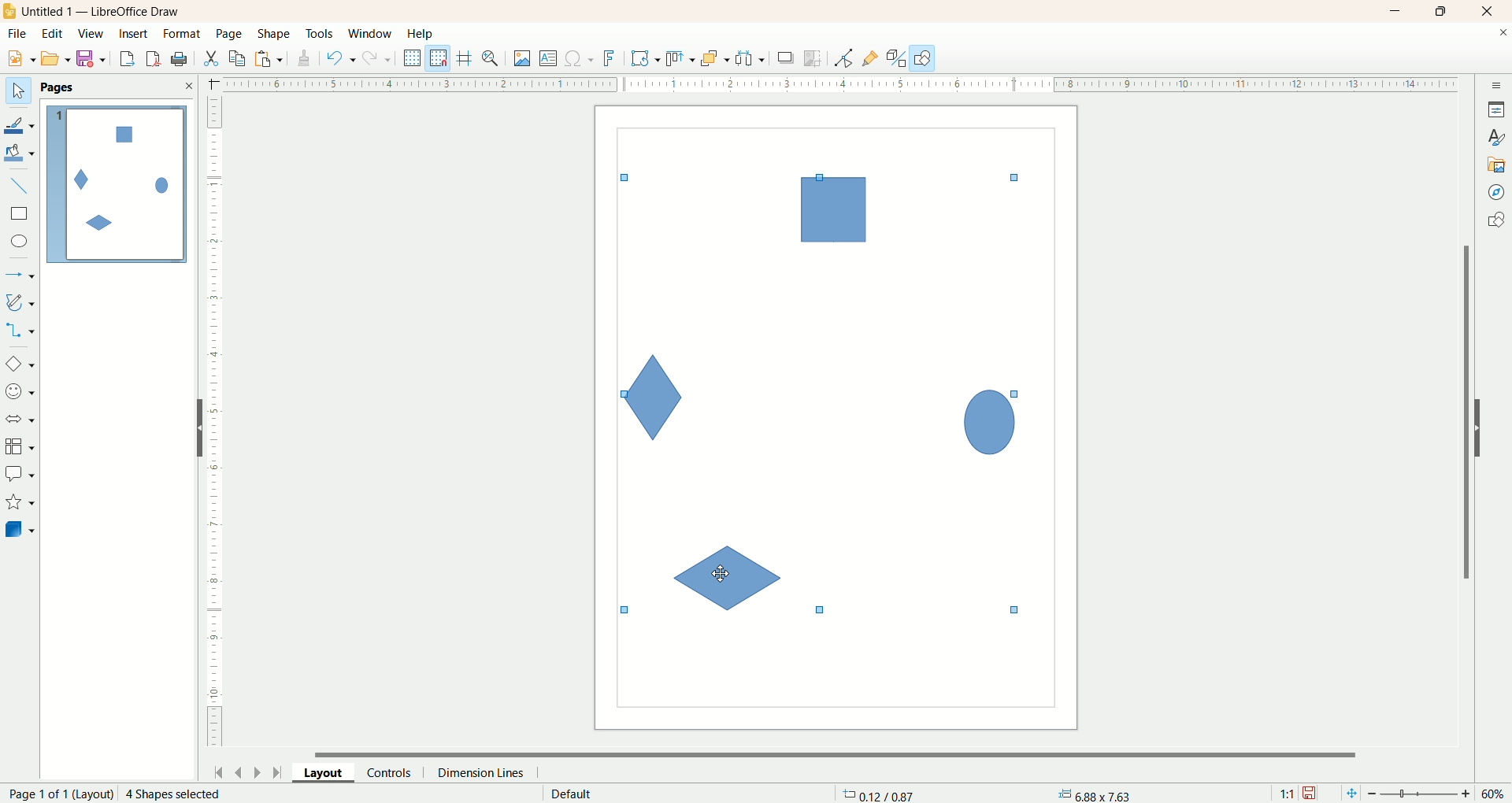 The height and width of the screenshot is (803, 1512). I want to click on tools, so click(321, 35).